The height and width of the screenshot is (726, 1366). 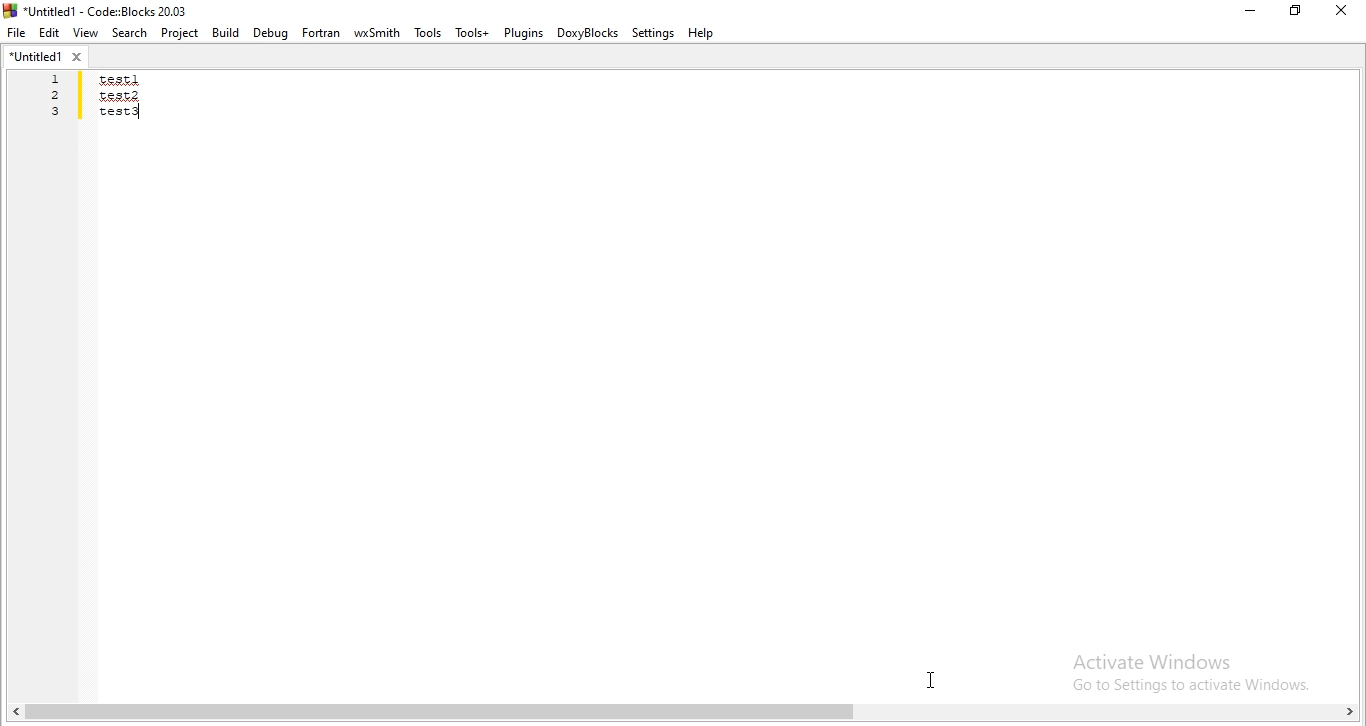 What do you see at coordinates (1253, 11) in the screenshot?
I see `Minimise` at bounding box center [1253, 11].